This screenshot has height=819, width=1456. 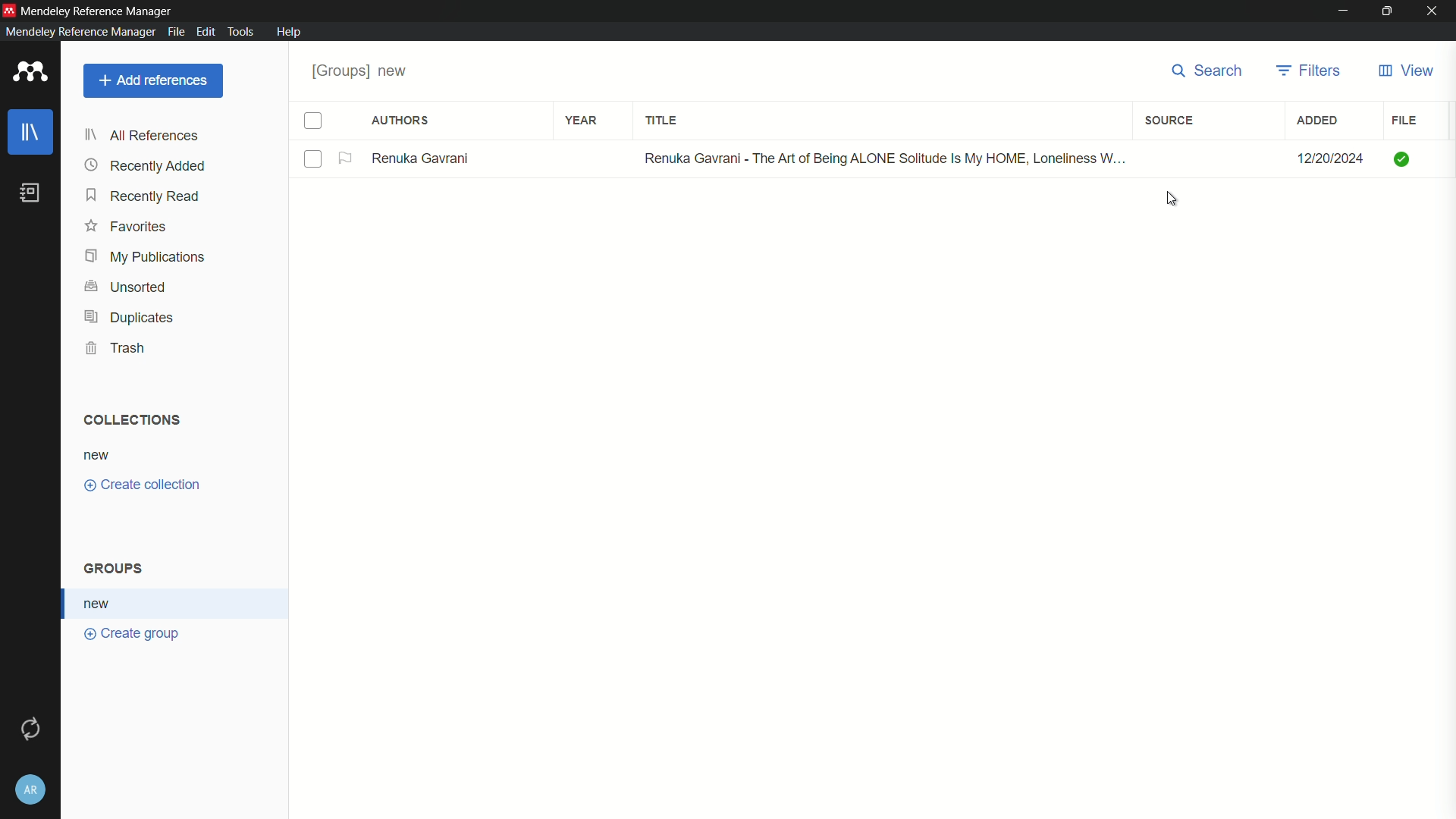 What do you see at coordinates (145, 196) in the screenshot?
I see `recently read` at bounding box center [145, 196].